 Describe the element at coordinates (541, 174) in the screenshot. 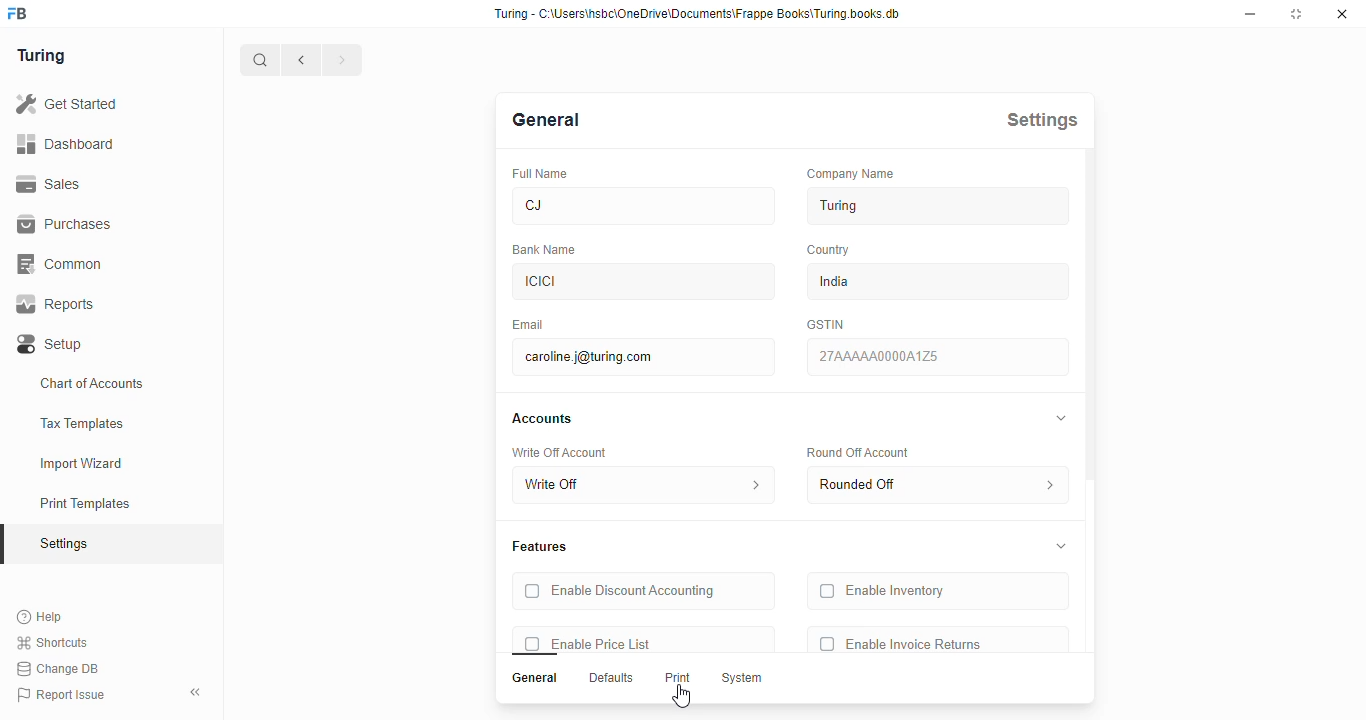

I see `Full Name` at that location.